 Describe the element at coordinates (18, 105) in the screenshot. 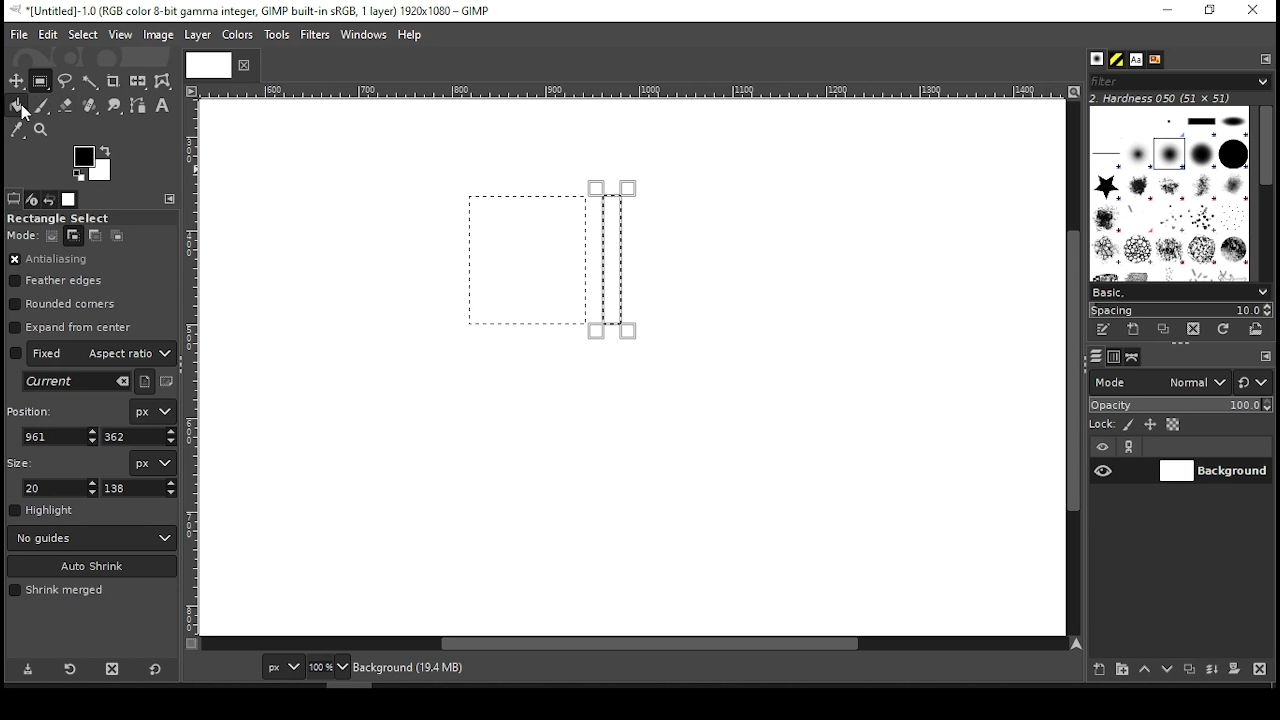

I see `paint bucket tool` at that location.